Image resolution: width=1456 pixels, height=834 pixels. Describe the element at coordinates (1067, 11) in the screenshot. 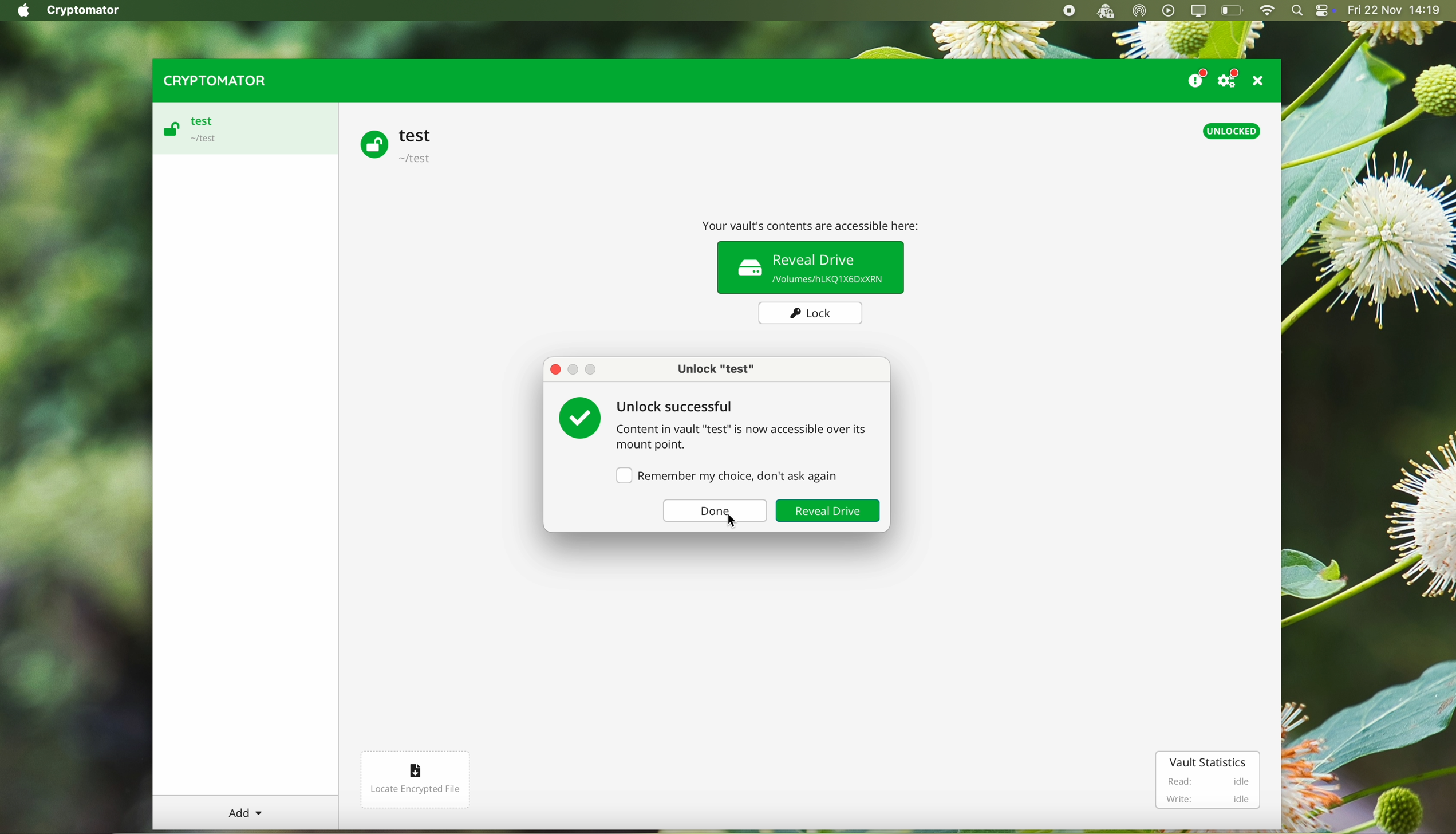

I see `stop recording` at that location.